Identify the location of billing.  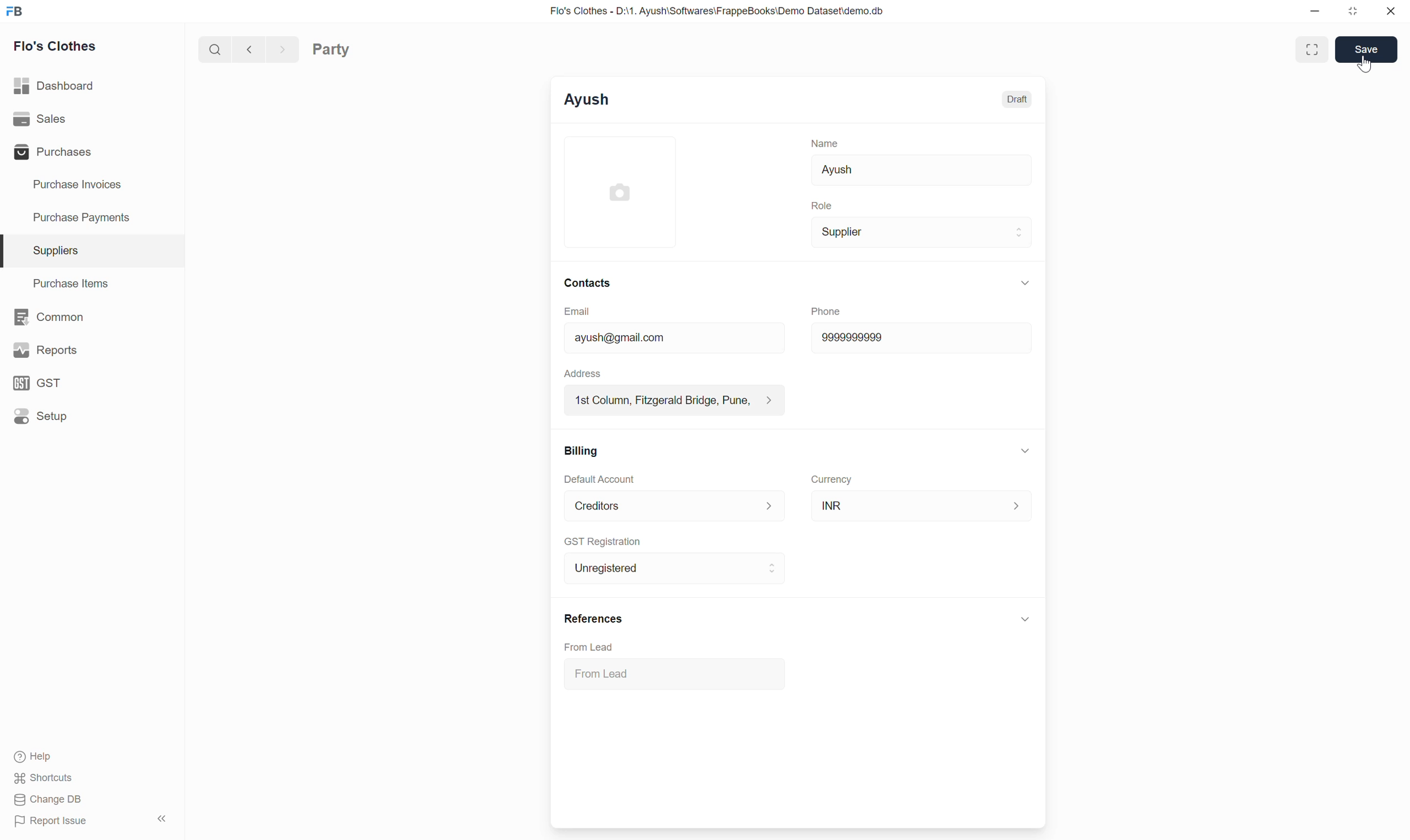
(583, 451).